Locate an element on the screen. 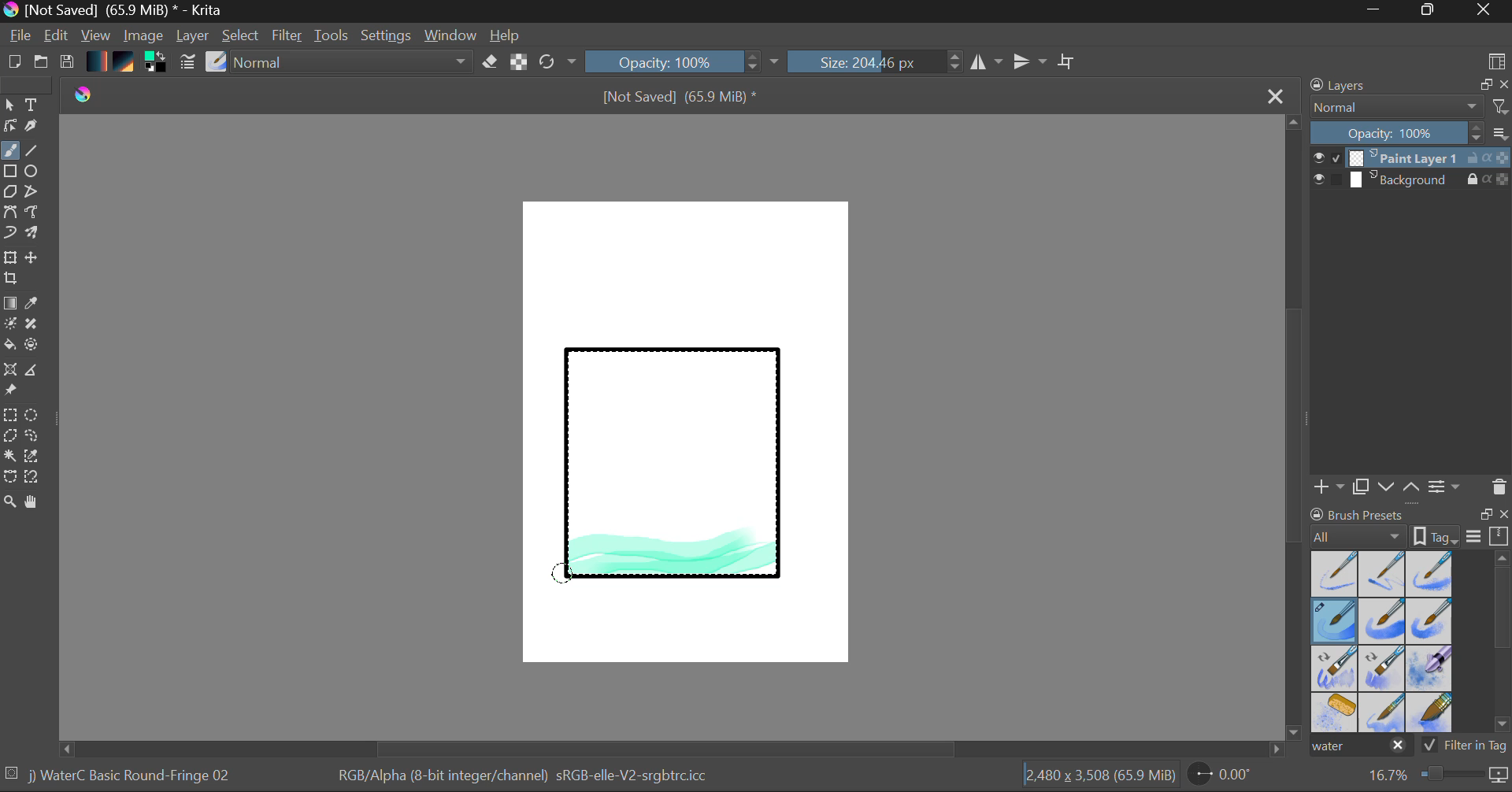 The width and height of the screenshot is (1512, 792). Bezier Curve is located at coordinates (9, 213).